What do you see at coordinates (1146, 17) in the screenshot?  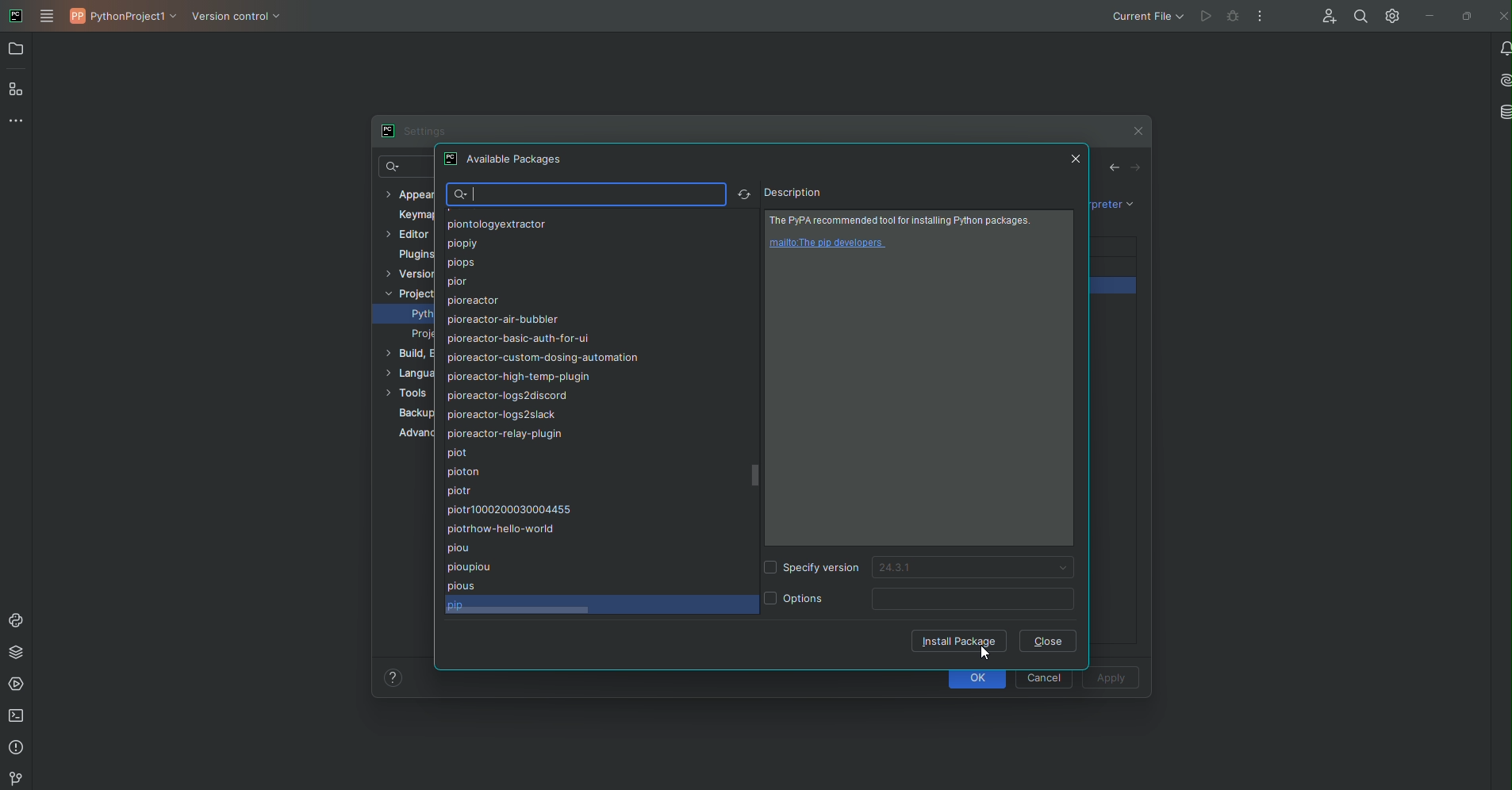 I see `Current file` at bounding box center [1146, 17].